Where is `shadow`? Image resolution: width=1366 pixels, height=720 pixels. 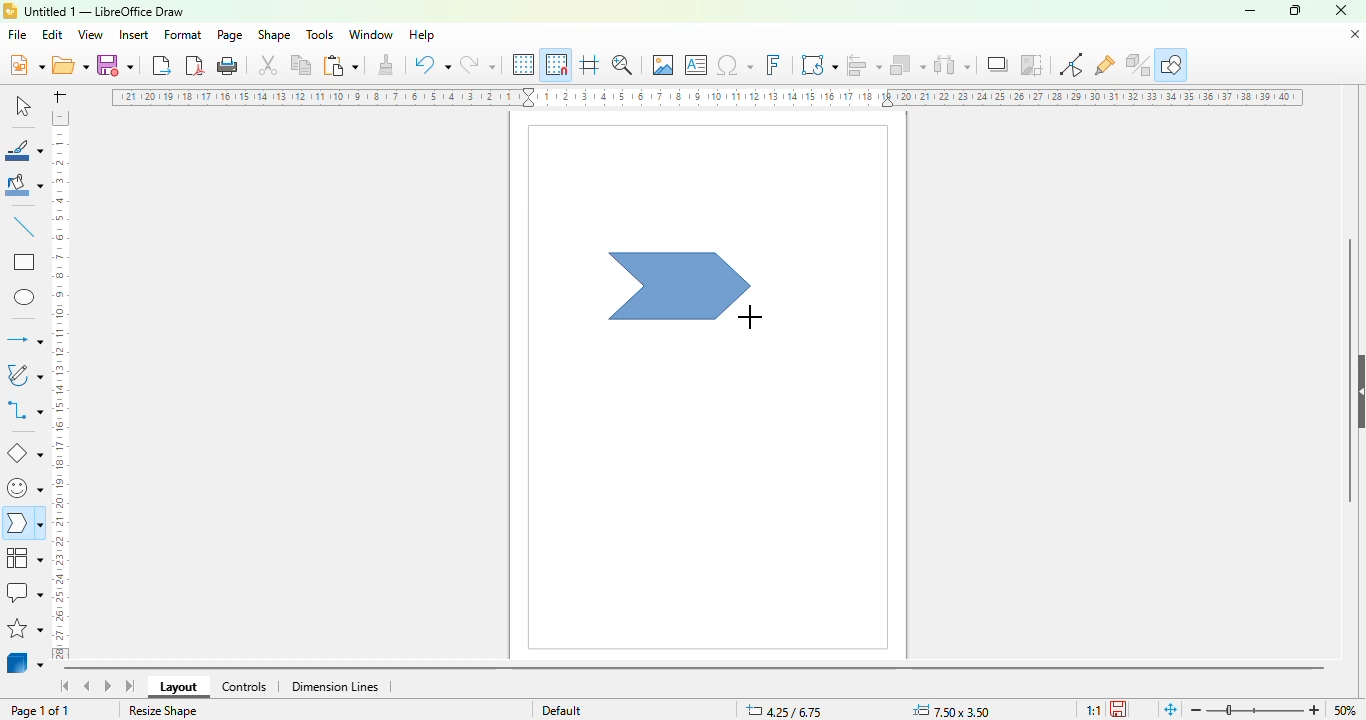 shadow is located at coordinates (997, 64).